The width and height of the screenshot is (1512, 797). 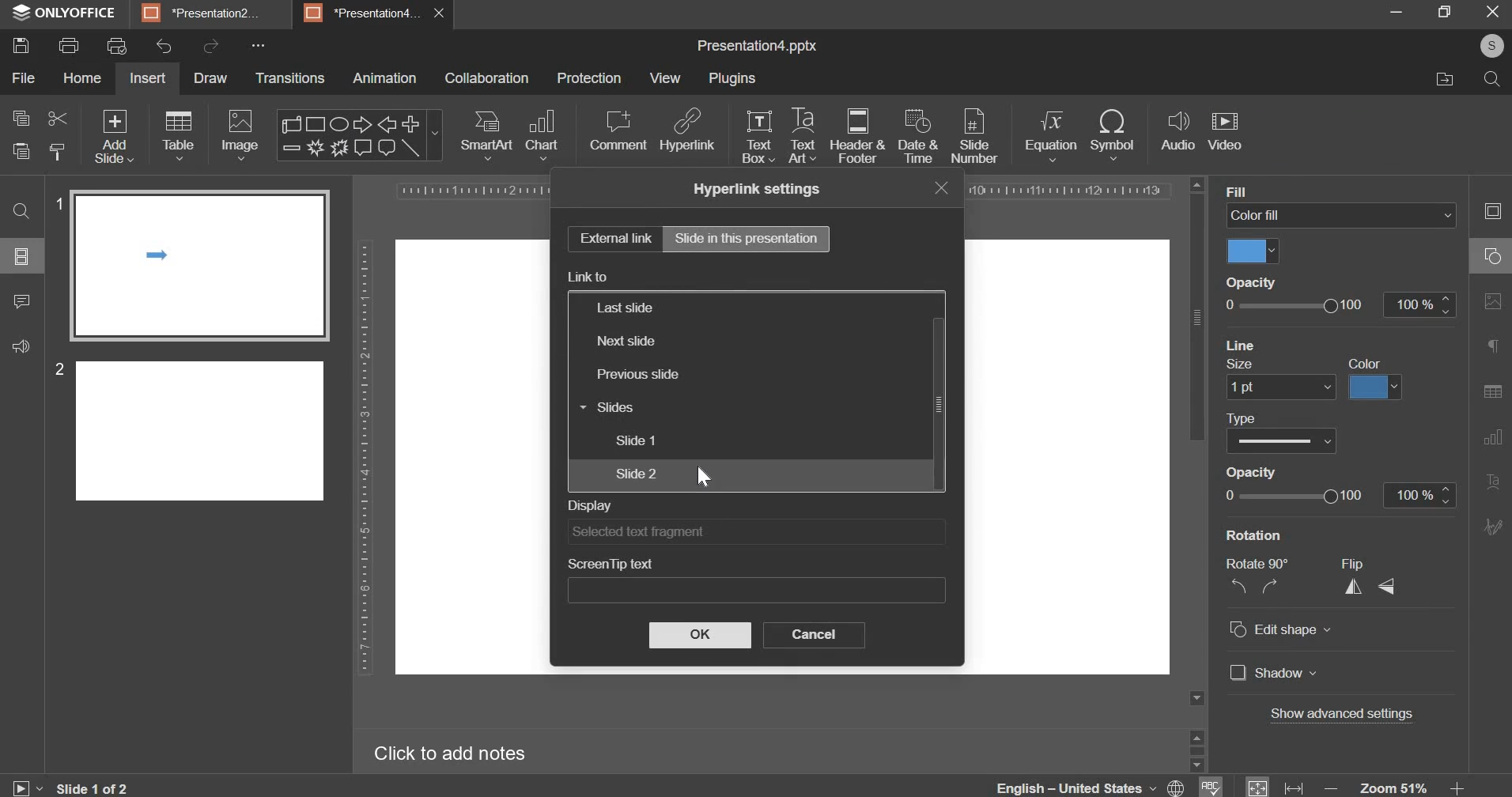 I want to click on cut, so click(x=55, y=117).